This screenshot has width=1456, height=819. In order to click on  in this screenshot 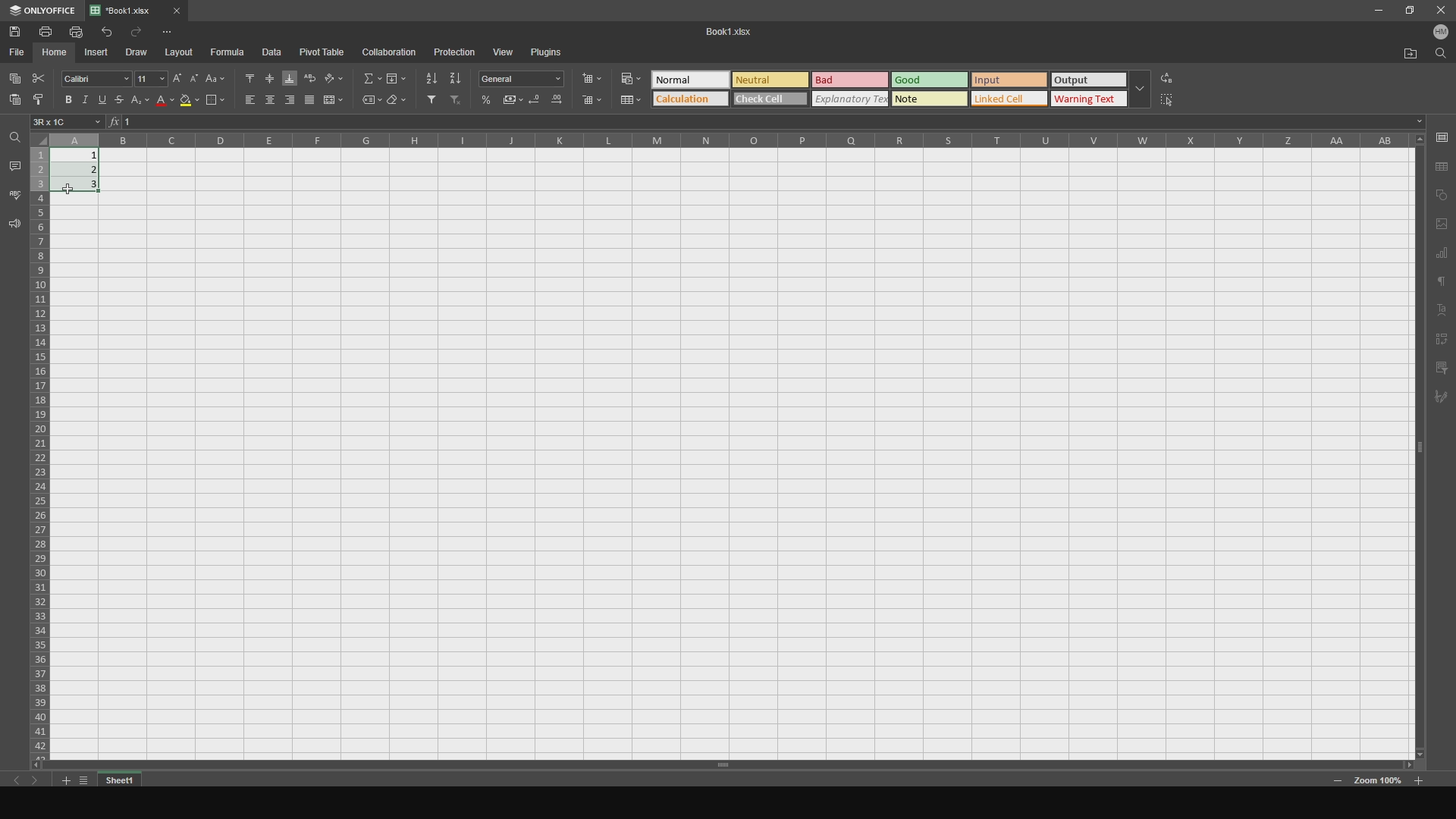, I will do `click(488, 99)`.